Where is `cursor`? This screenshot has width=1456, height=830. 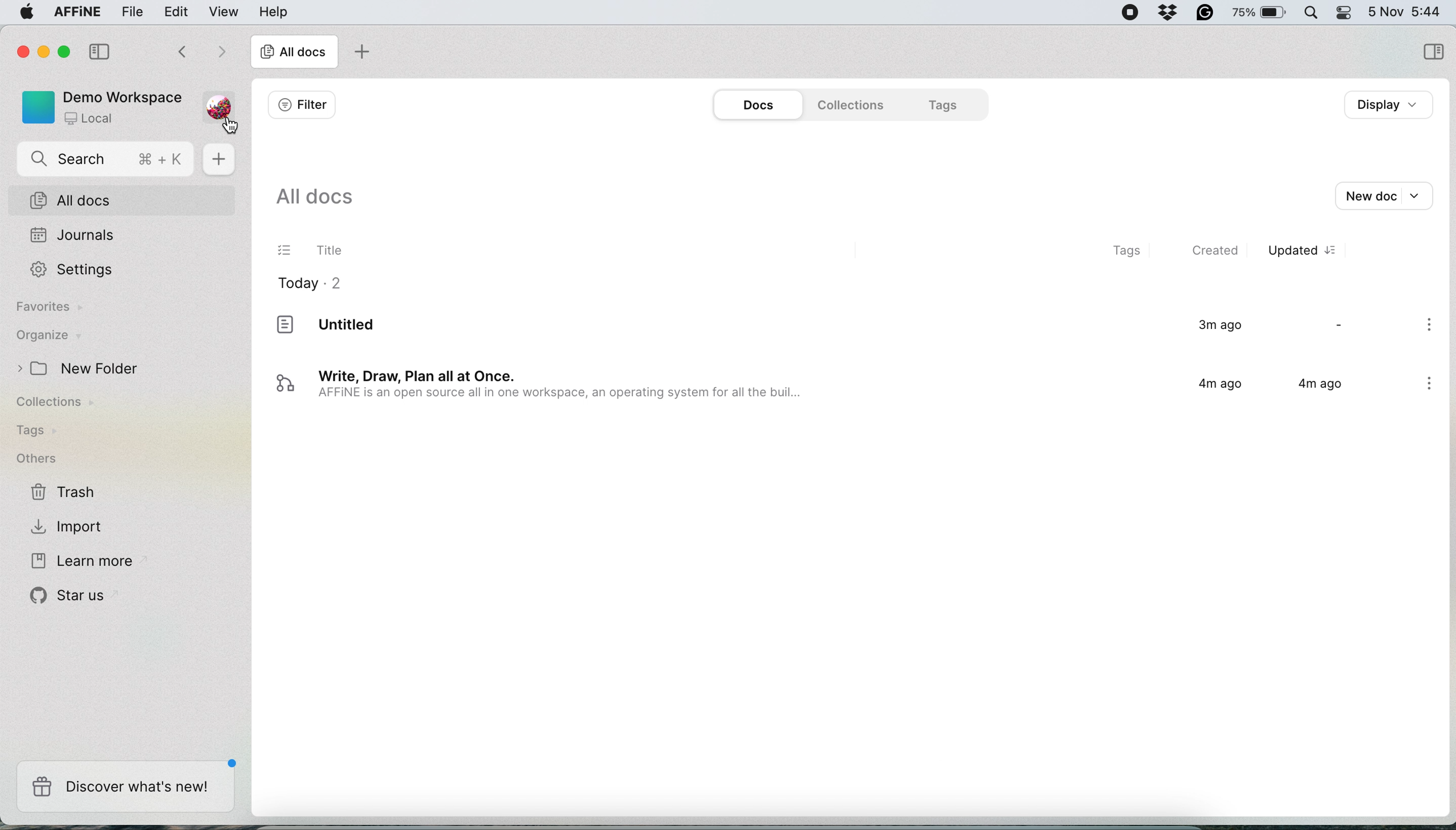
cursor is located at coordinates (229, 125).